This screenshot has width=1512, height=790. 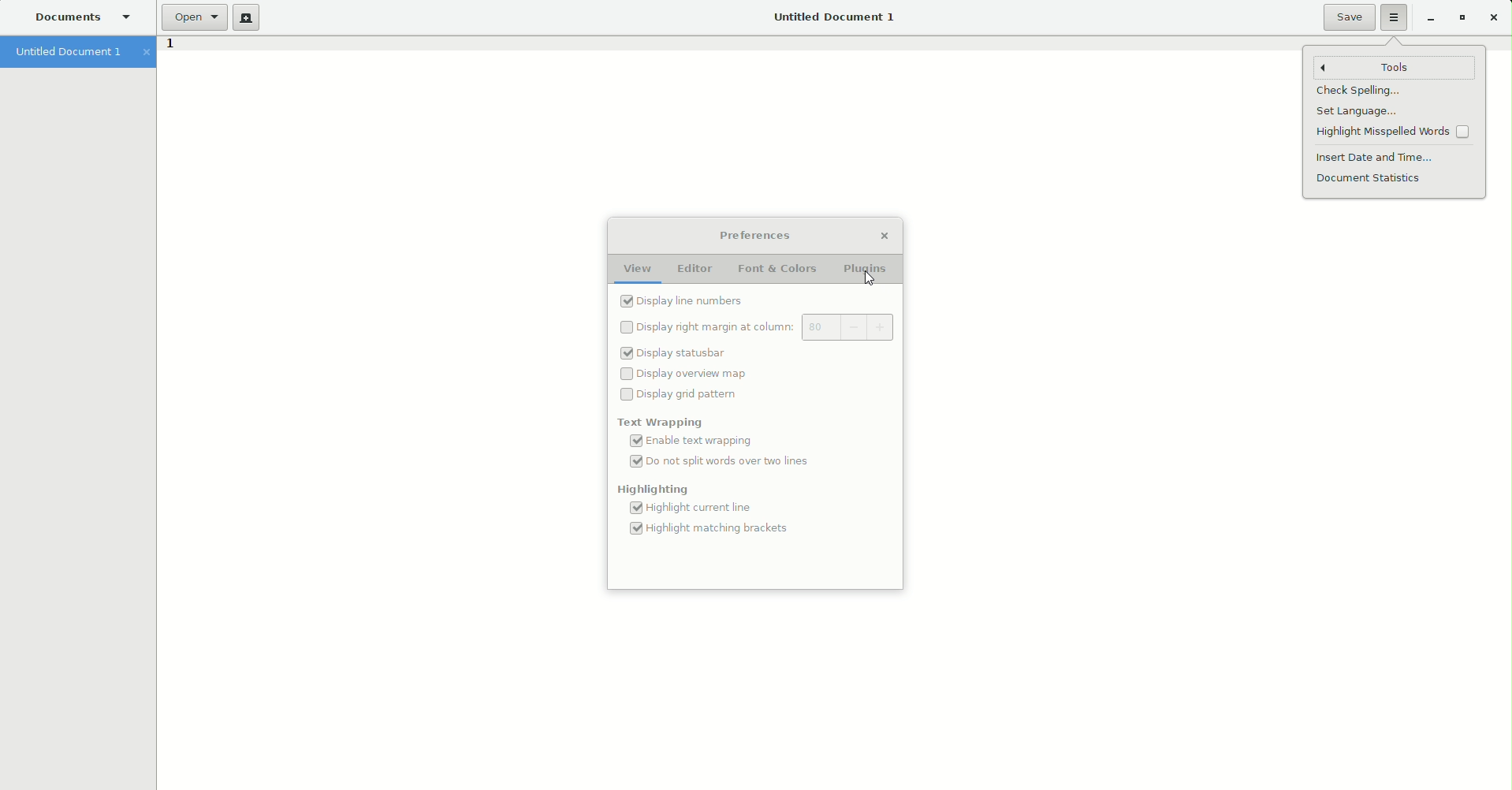 What do you see at coordinates (884, 237) in the screenshot?
I see `Close` at bounding box center [884, 237].